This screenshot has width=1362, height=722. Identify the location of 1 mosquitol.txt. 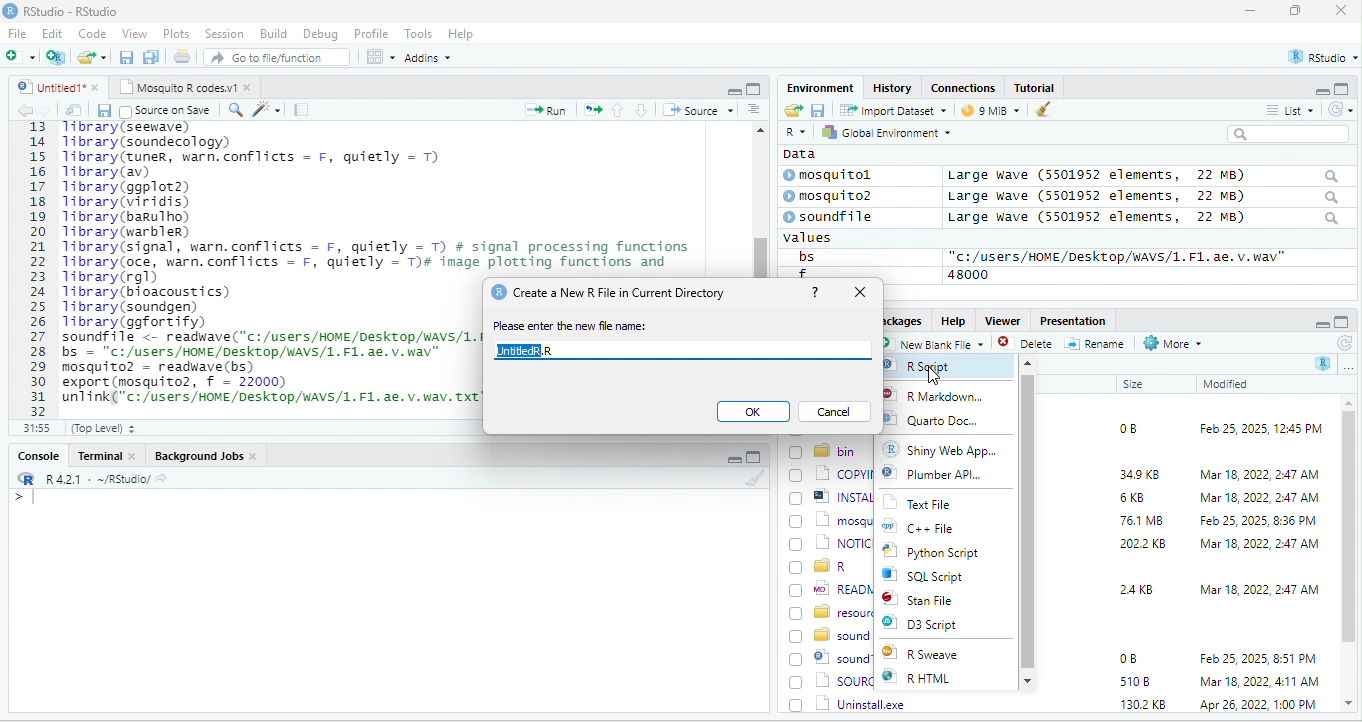
(827, 519).